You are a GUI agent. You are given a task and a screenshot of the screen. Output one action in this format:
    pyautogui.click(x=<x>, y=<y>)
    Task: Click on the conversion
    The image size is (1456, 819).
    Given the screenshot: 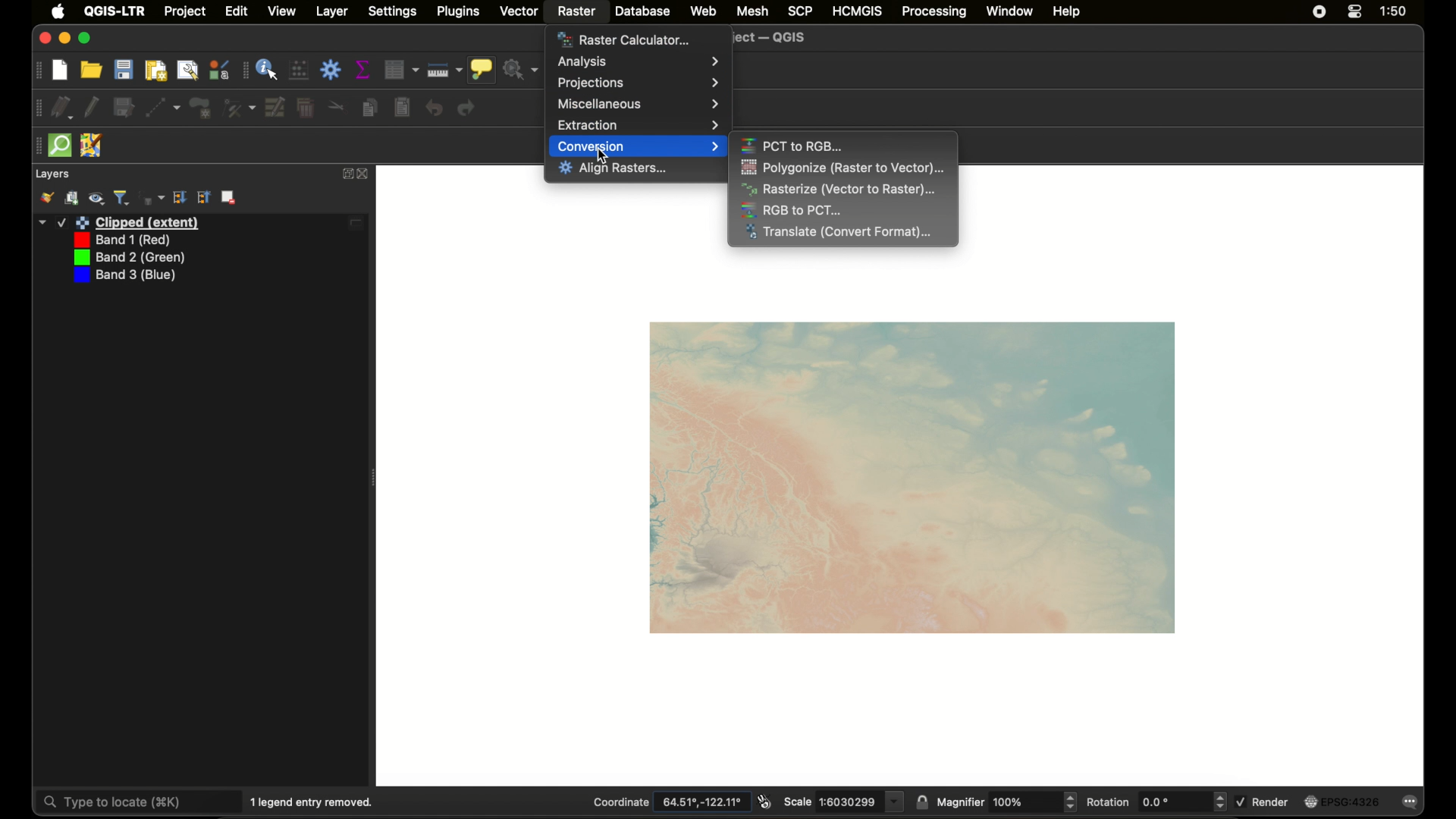 What is the action you would take?
    pyautogui.click(x=639, y=146)
    